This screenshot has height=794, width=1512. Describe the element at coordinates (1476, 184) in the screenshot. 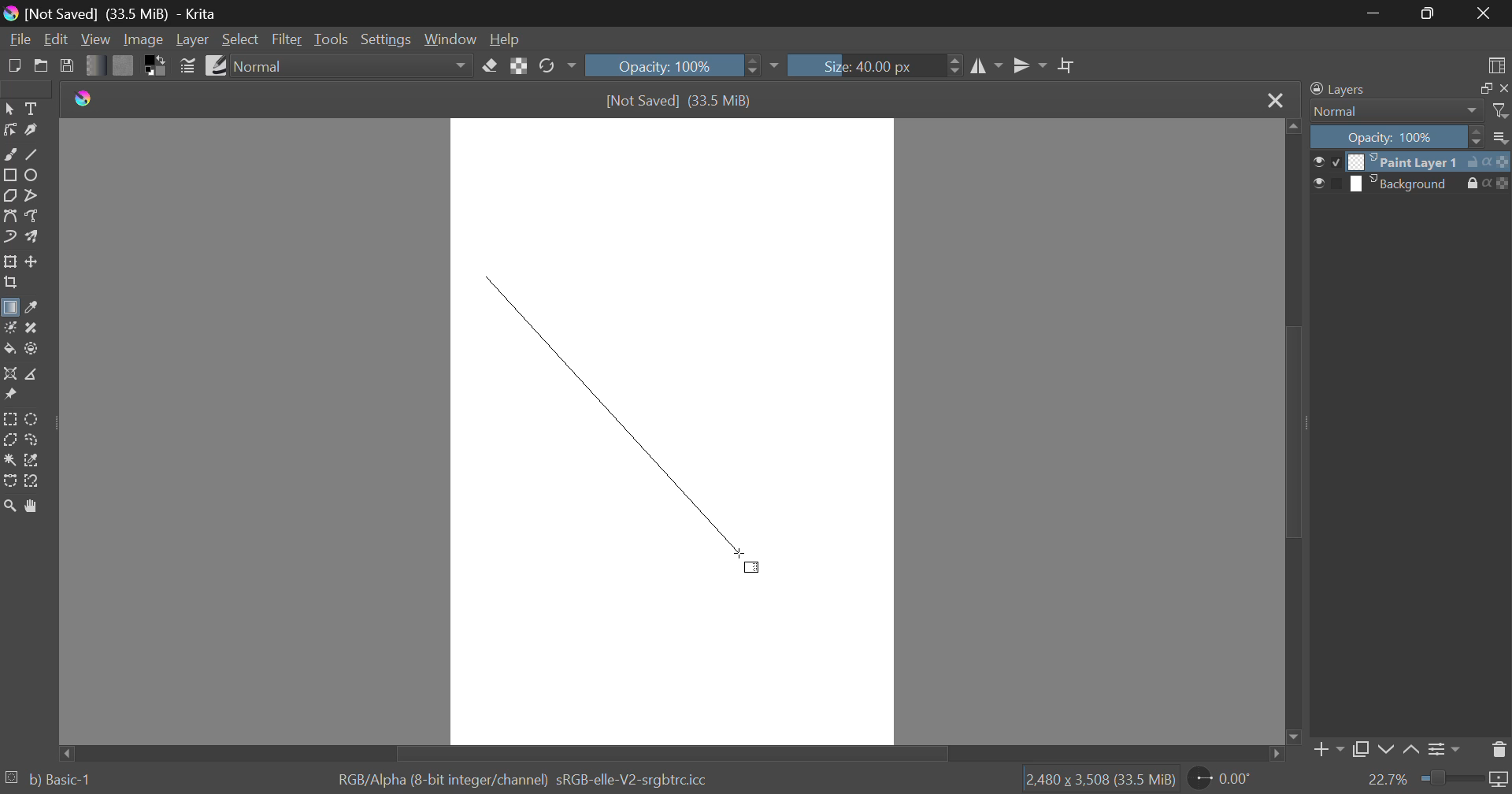

I see `lock` at that location.